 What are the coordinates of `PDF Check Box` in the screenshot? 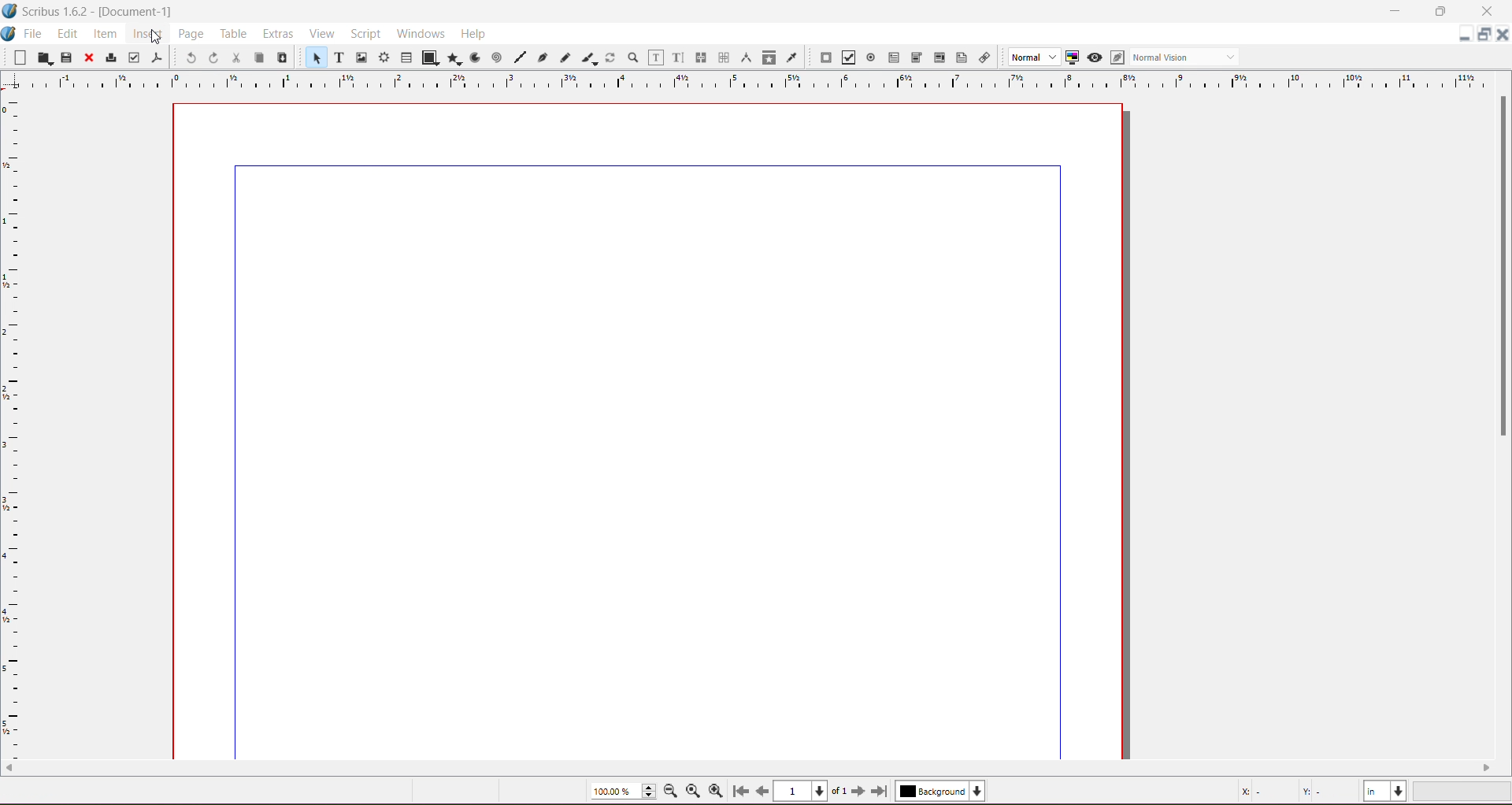 It's located at (848, 57).